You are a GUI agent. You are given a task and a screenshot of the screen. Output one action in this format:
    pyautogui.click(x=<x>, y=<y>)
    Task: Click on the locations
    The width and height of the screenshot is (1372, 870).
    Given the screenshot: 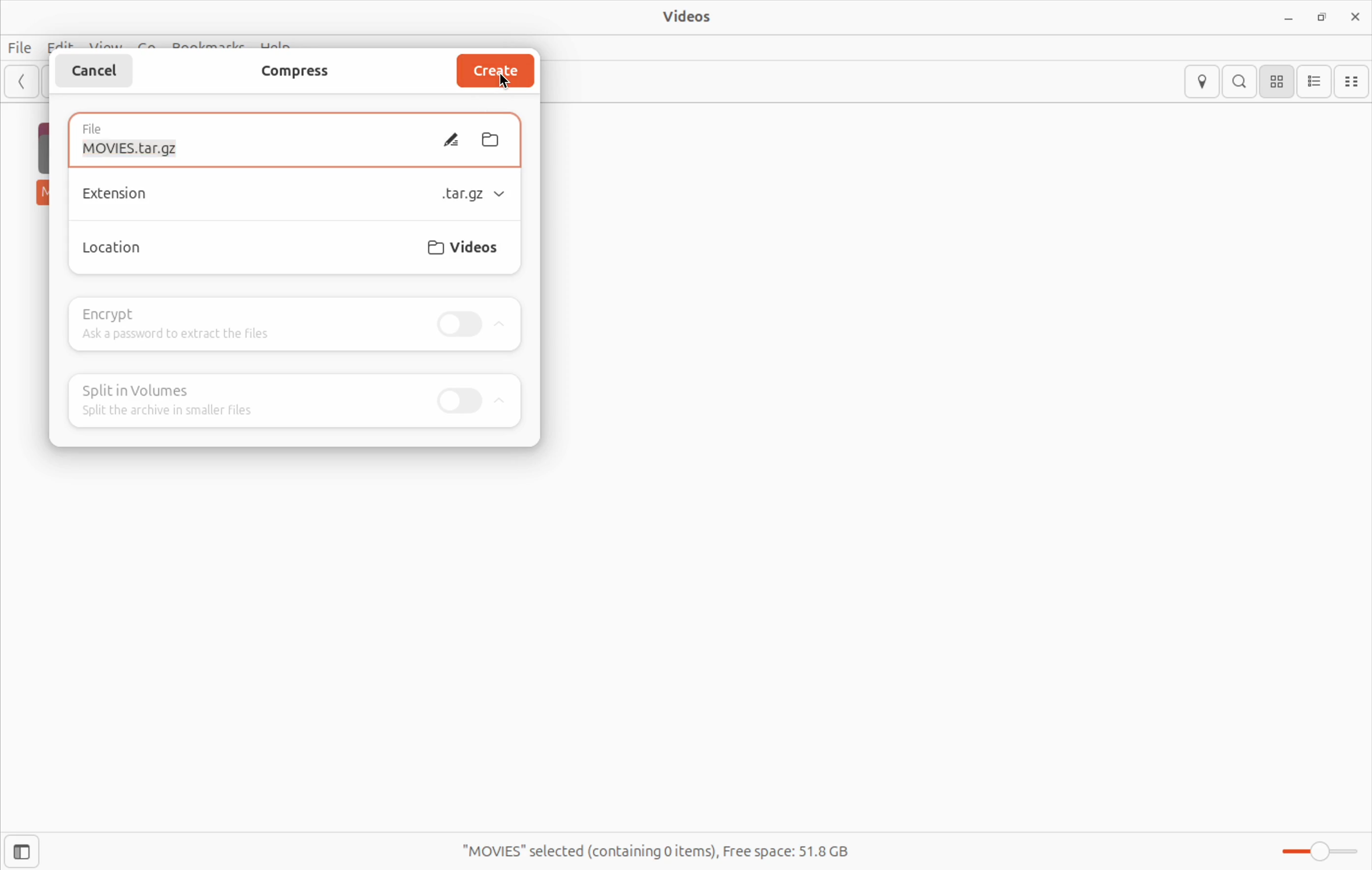 What is the action you would take?
    pyautogui.click(x=1203, y=81)
    